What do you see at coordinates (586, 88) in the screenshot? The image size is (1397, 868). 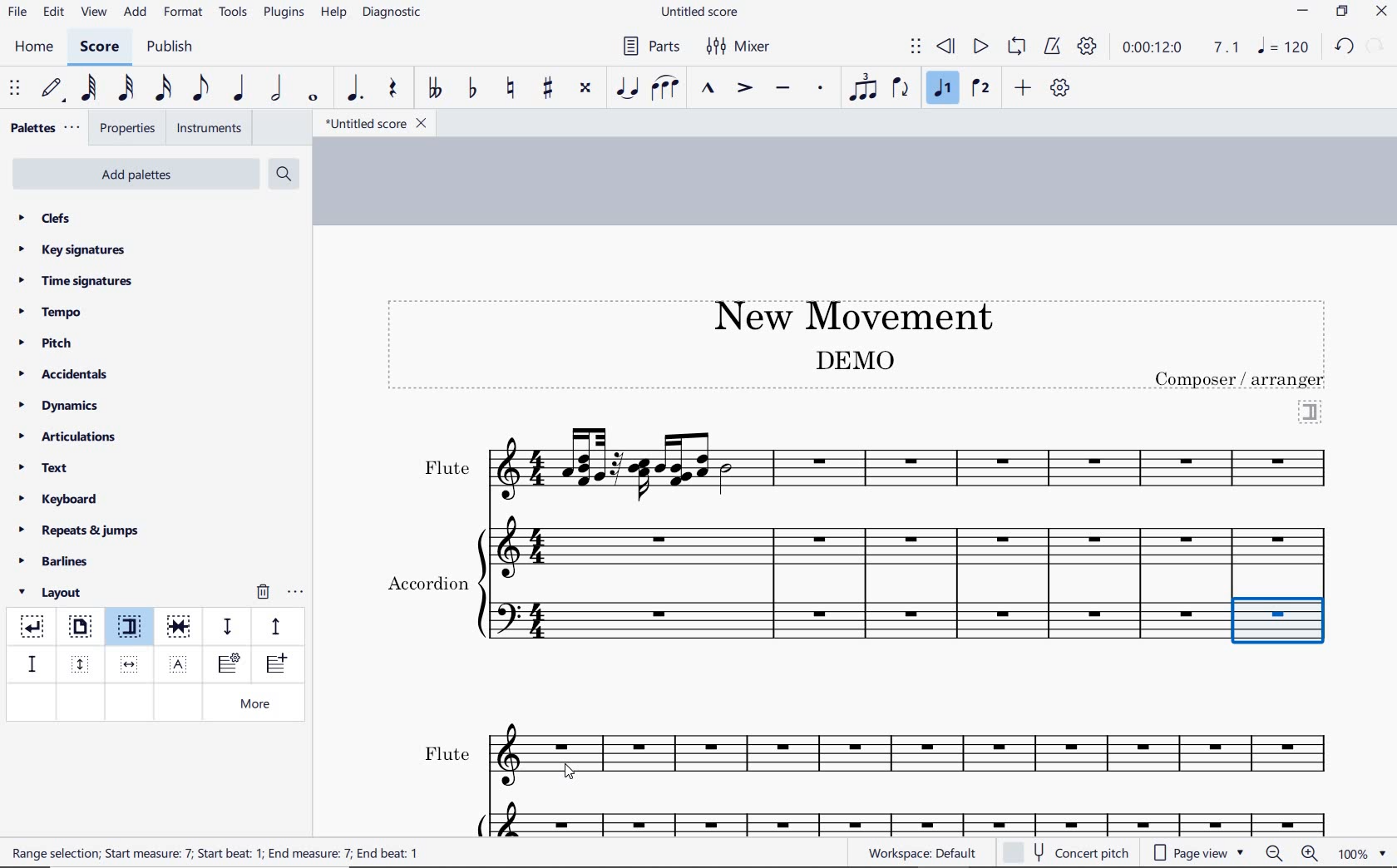 I see `toggle double-sharp` at bounding box center [586, 88].